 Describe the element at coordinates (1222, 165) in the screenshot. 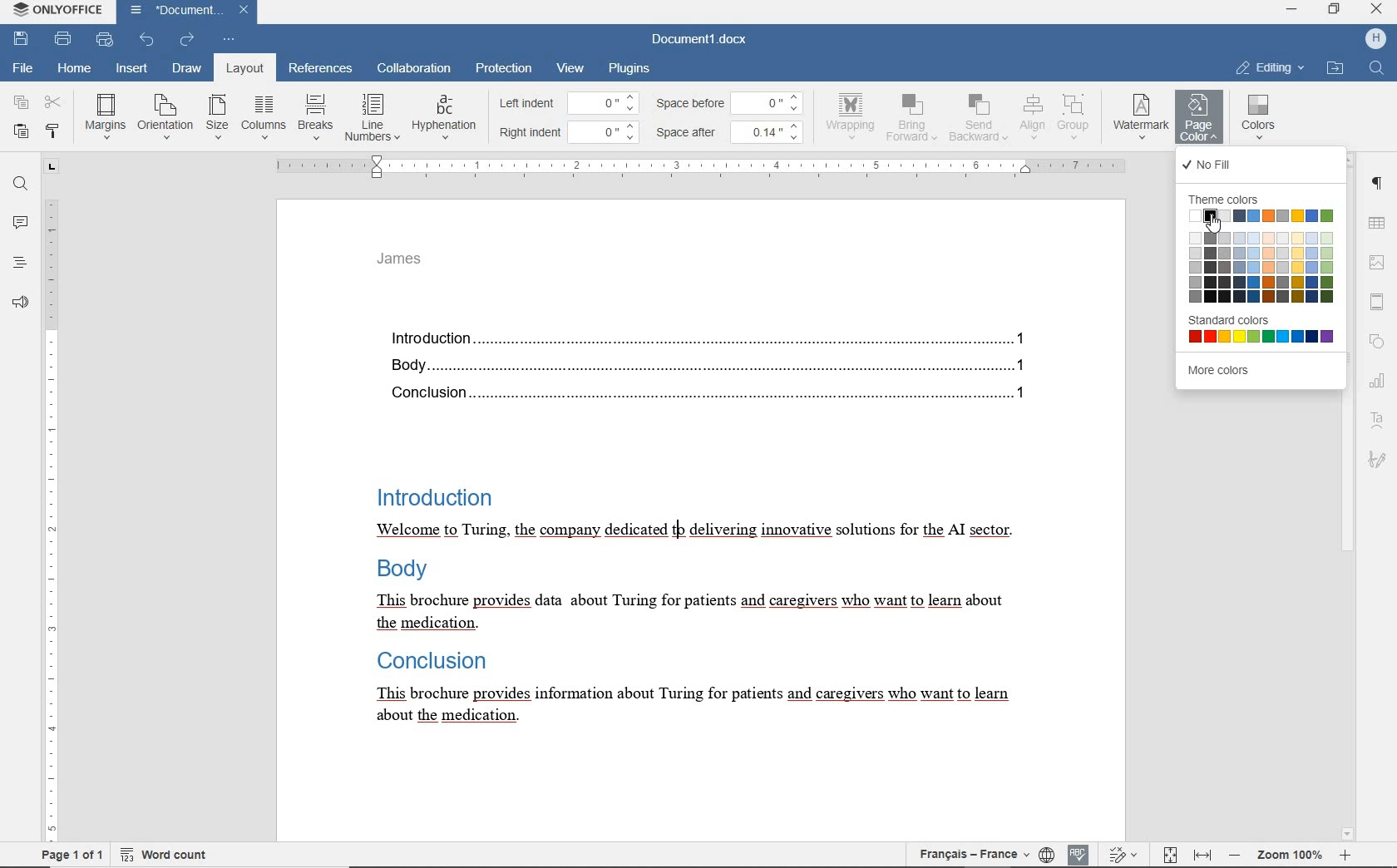

I see `no fill` at that location.